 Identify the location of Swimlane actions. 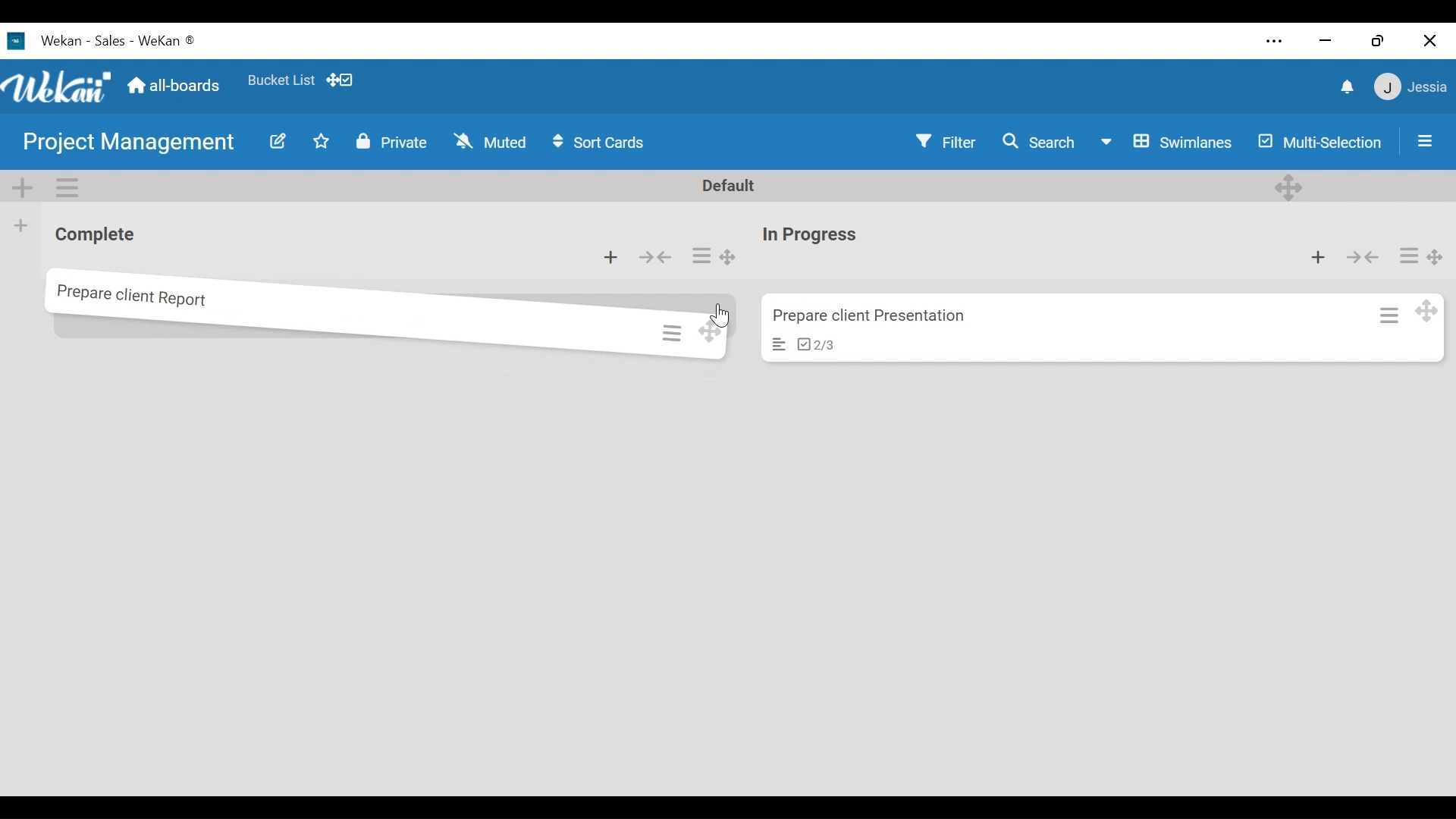
(70, 187).